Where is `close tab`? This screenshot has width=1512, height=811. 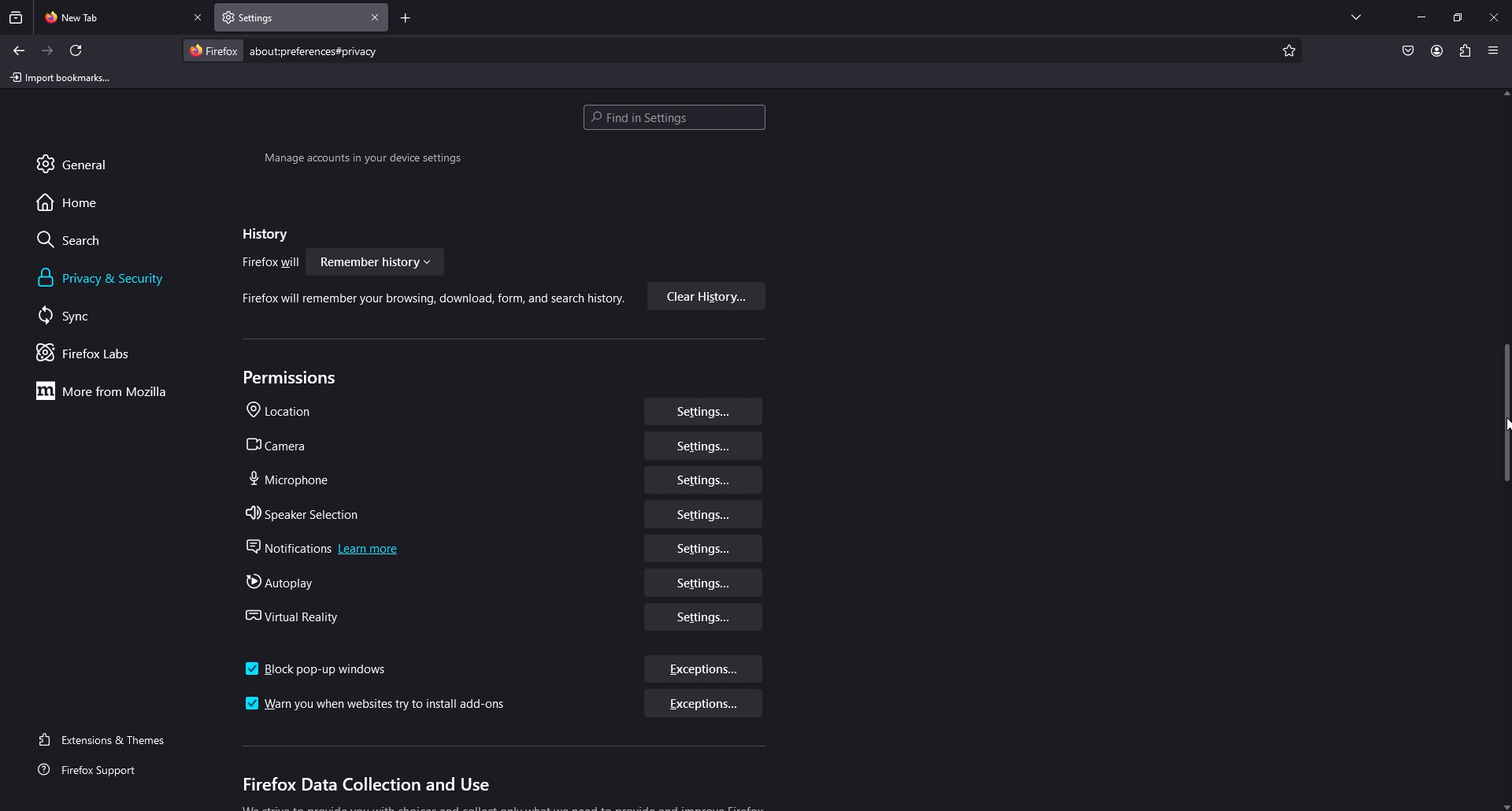 close tab is located at coordinates (376, 17).